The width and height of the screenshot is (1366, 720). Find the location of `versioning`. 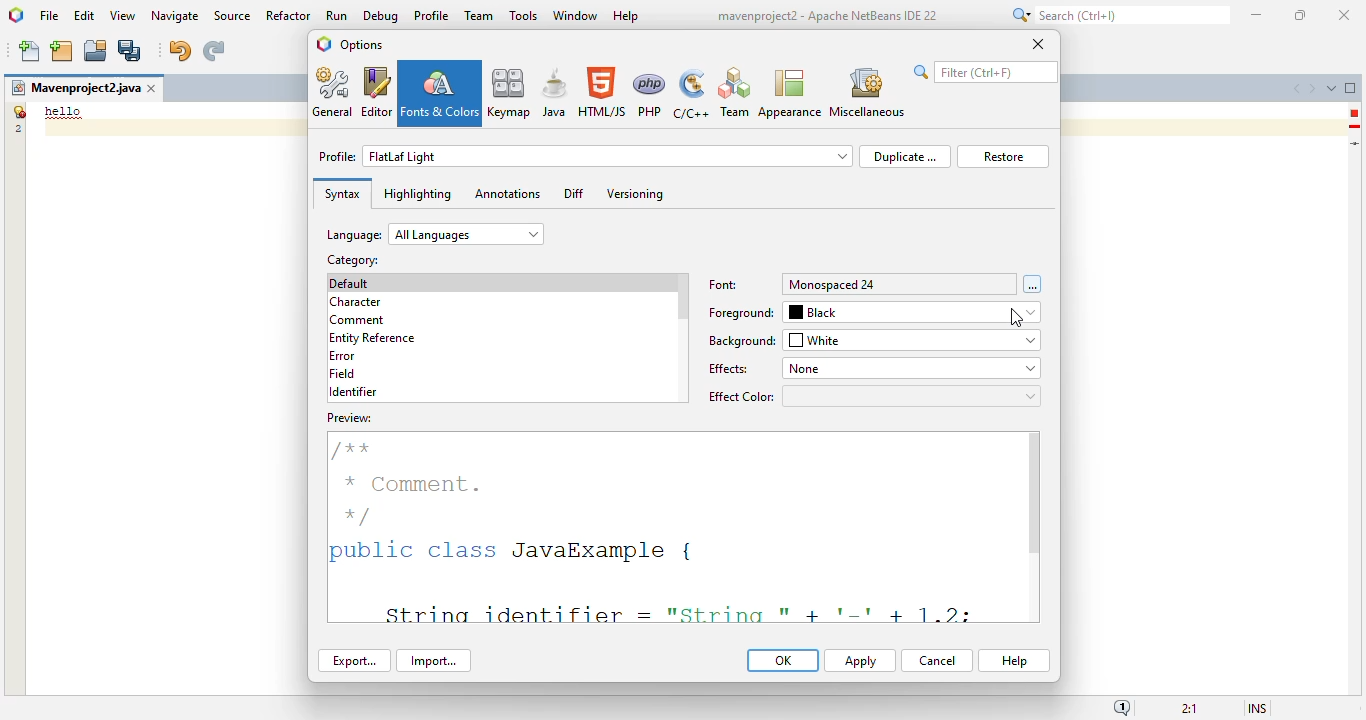

versioning is located at coordinates (636, 194).